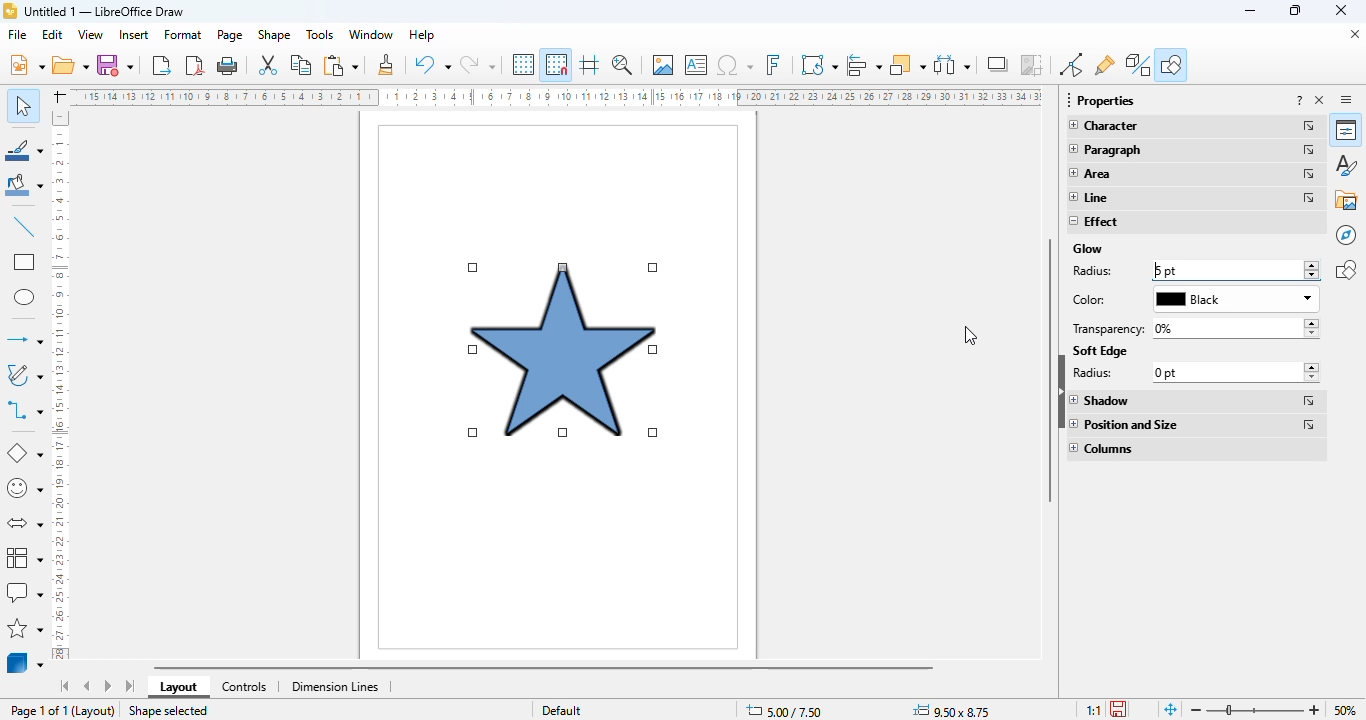 Image resolution: width=1366 pixels, height=720 pixels. I want to click on helplines while moving, so click(590, 65).